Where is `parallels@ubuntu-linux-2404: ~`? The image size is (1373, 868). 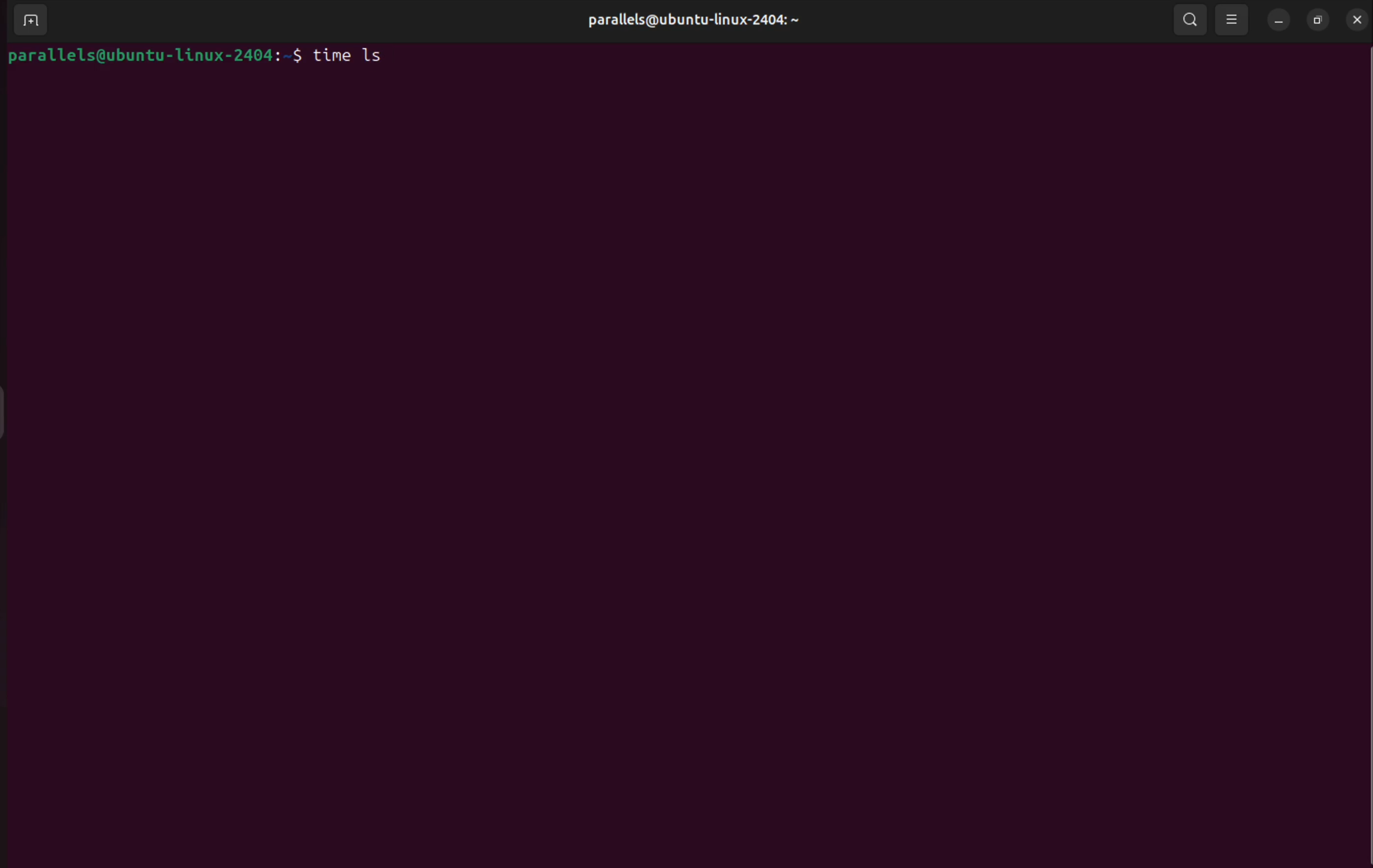 parallels@ubuntu-linux-2404: ~ is located at coordinates (693, 21).